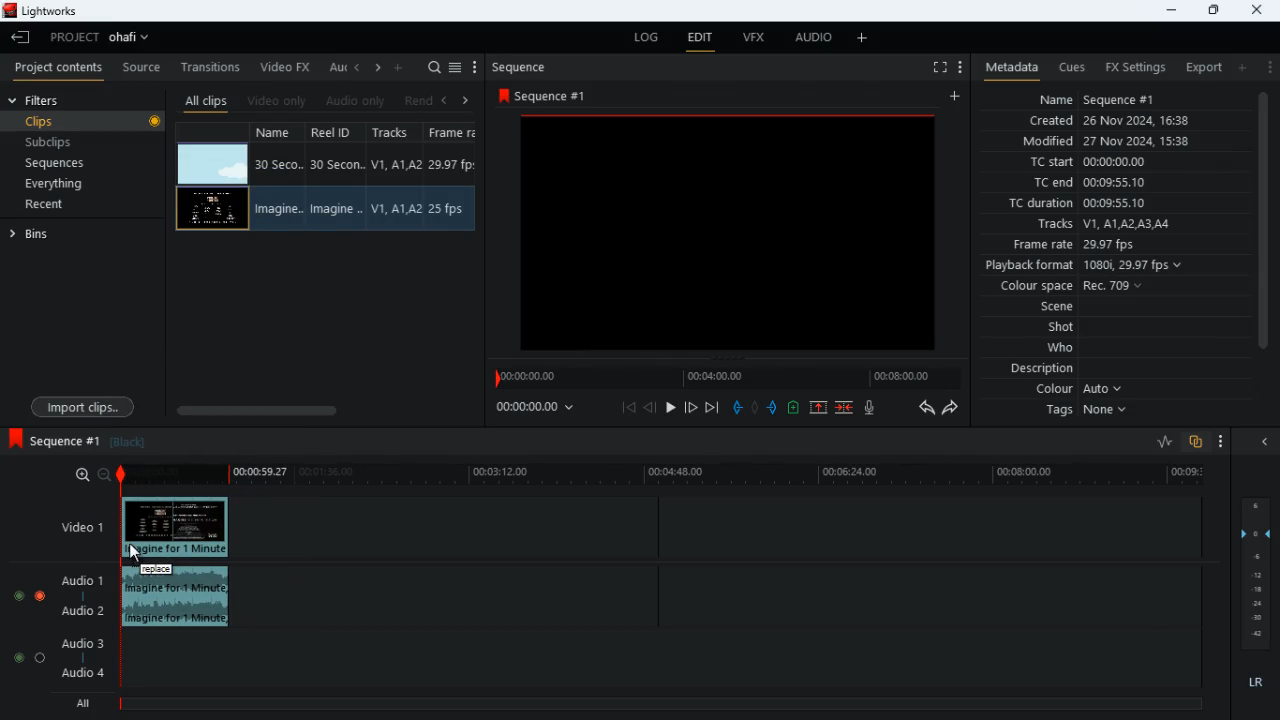  I want to click on right, so click(378, 68).